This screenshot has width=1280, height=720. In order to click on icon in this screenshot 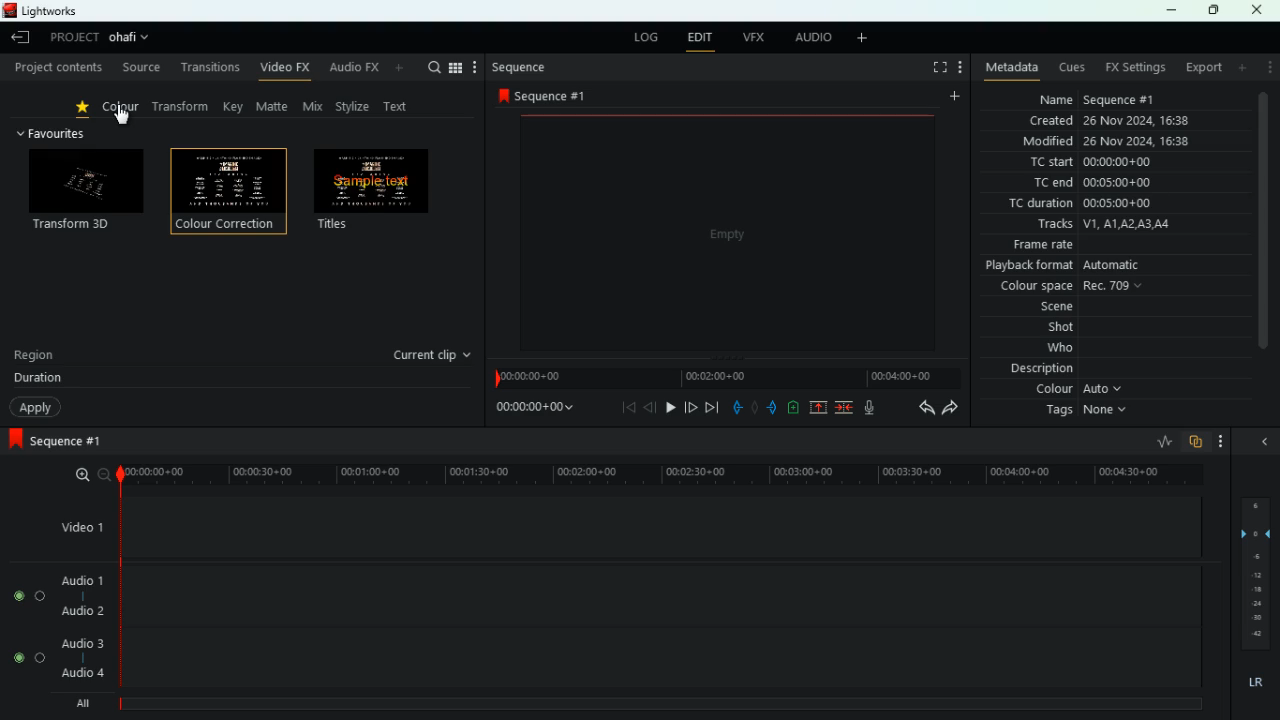, I will do `click(14, 440)`.